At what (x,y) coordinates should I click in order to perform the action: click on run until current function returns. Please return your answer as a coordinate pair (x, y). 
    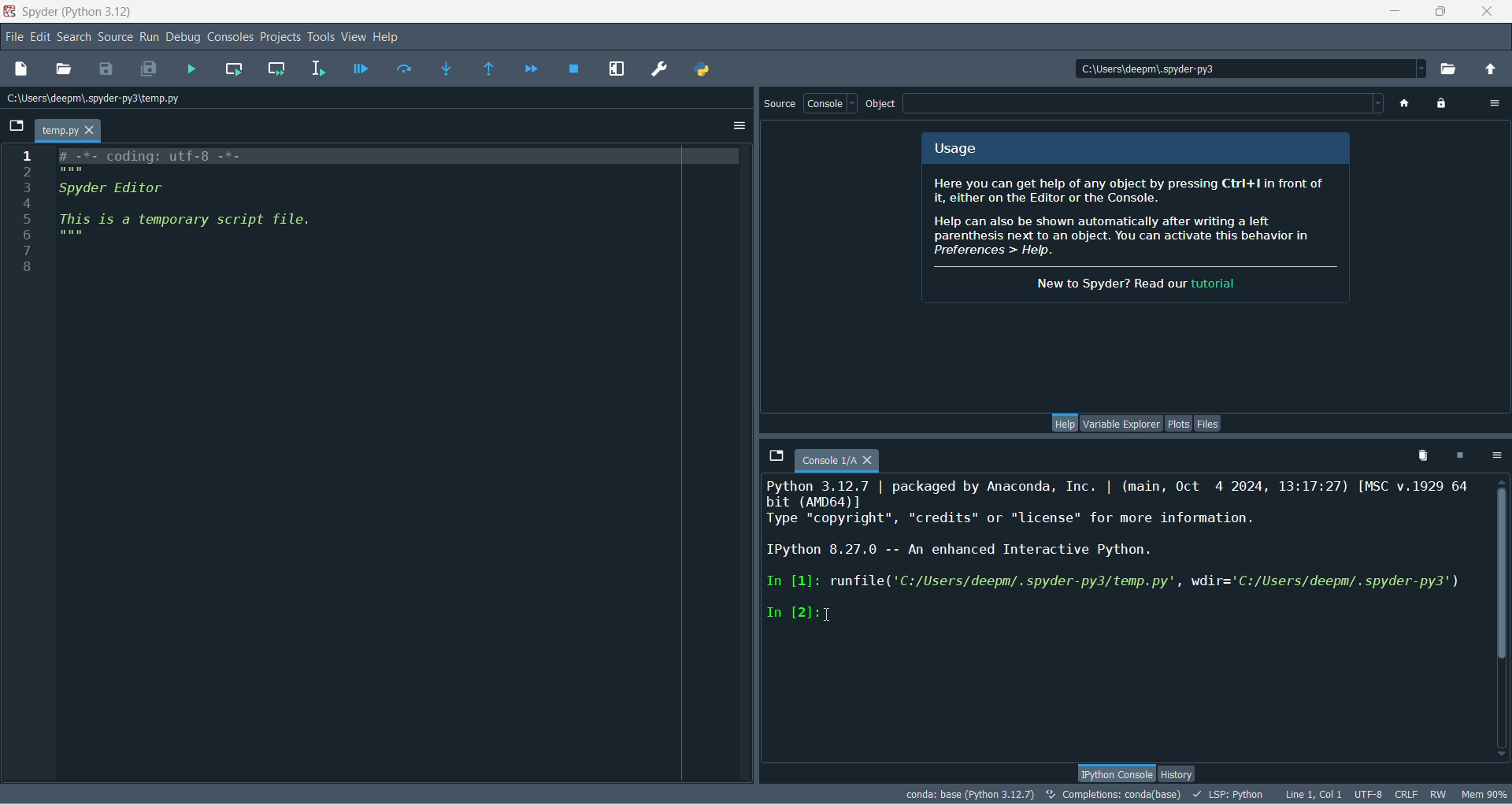
    Looking at the image, I should click on (489, 69).